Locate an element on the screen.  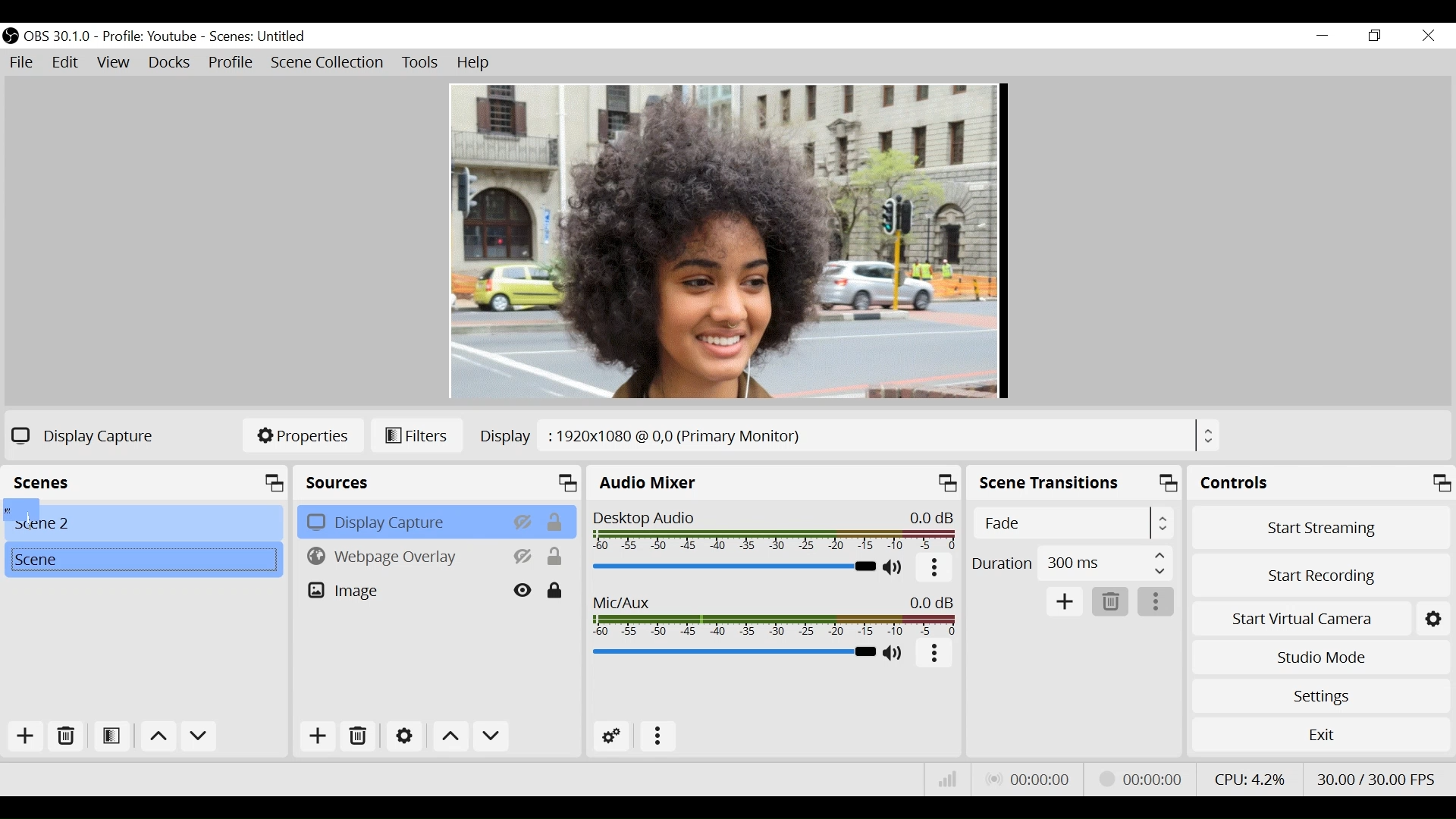
Move down is located at coordinates (198, 737).